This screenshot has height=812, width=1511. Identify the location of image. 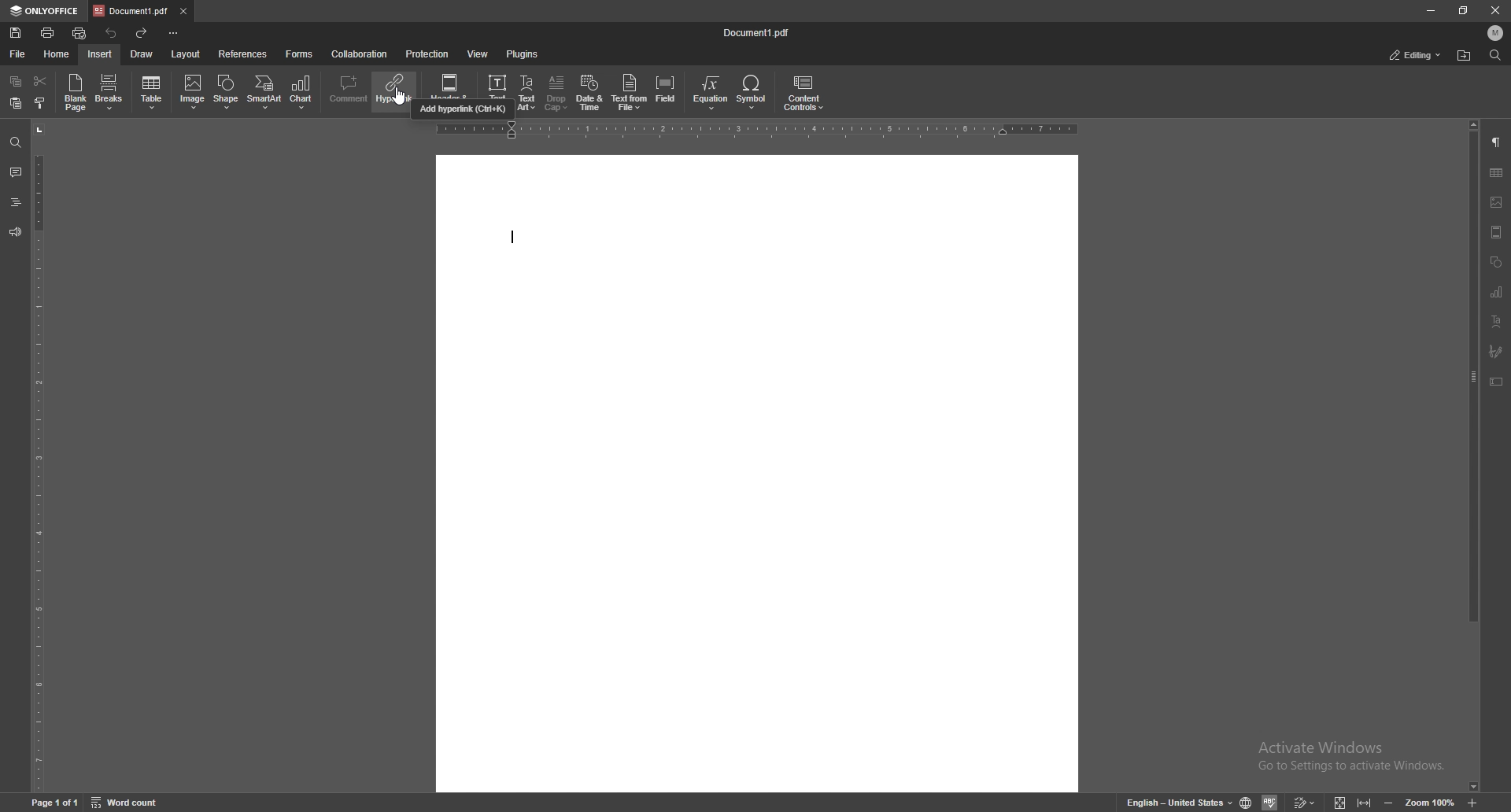
(191, 93).